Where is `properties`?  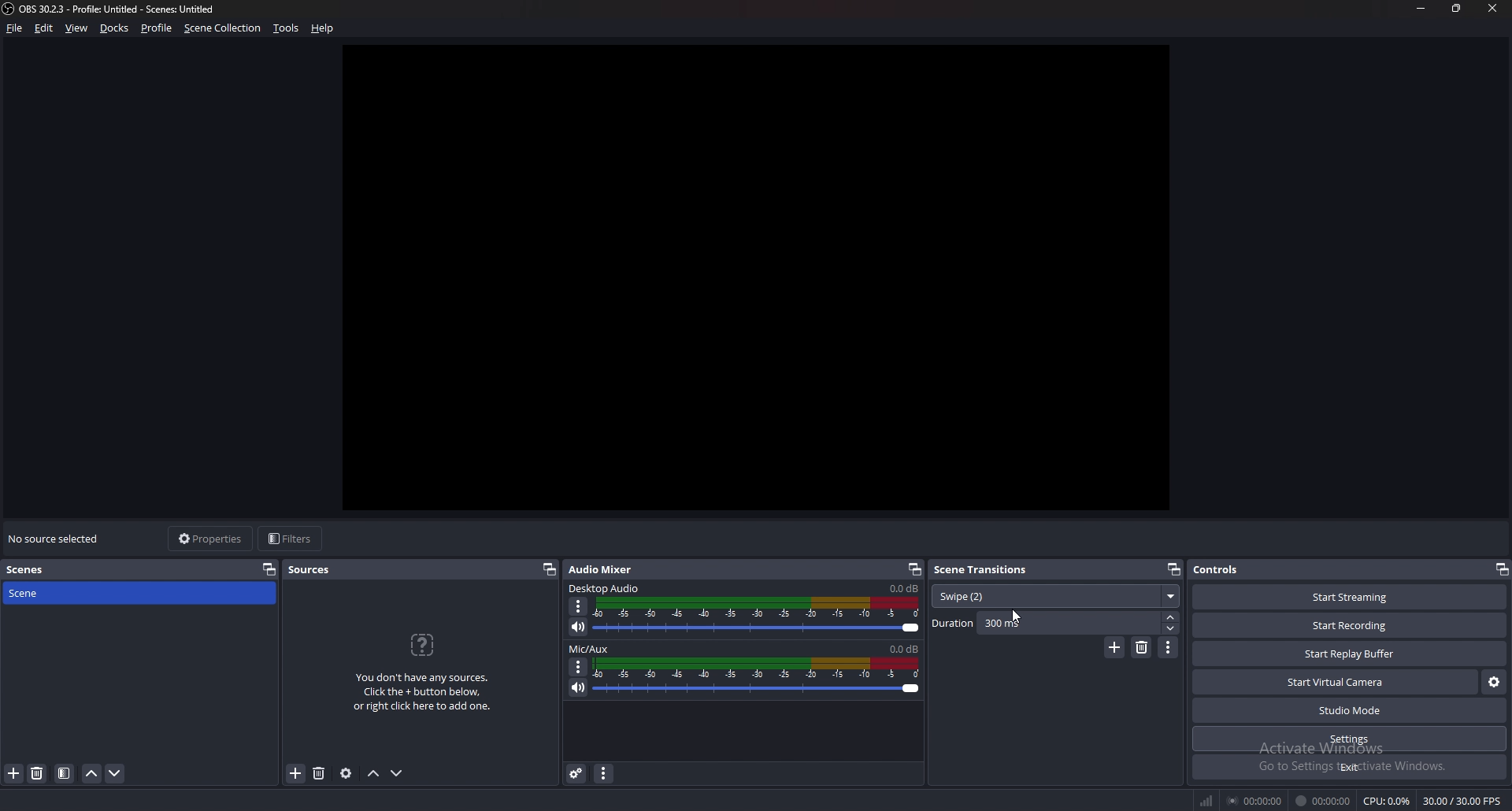 properties is located at coordinates (212, 539).